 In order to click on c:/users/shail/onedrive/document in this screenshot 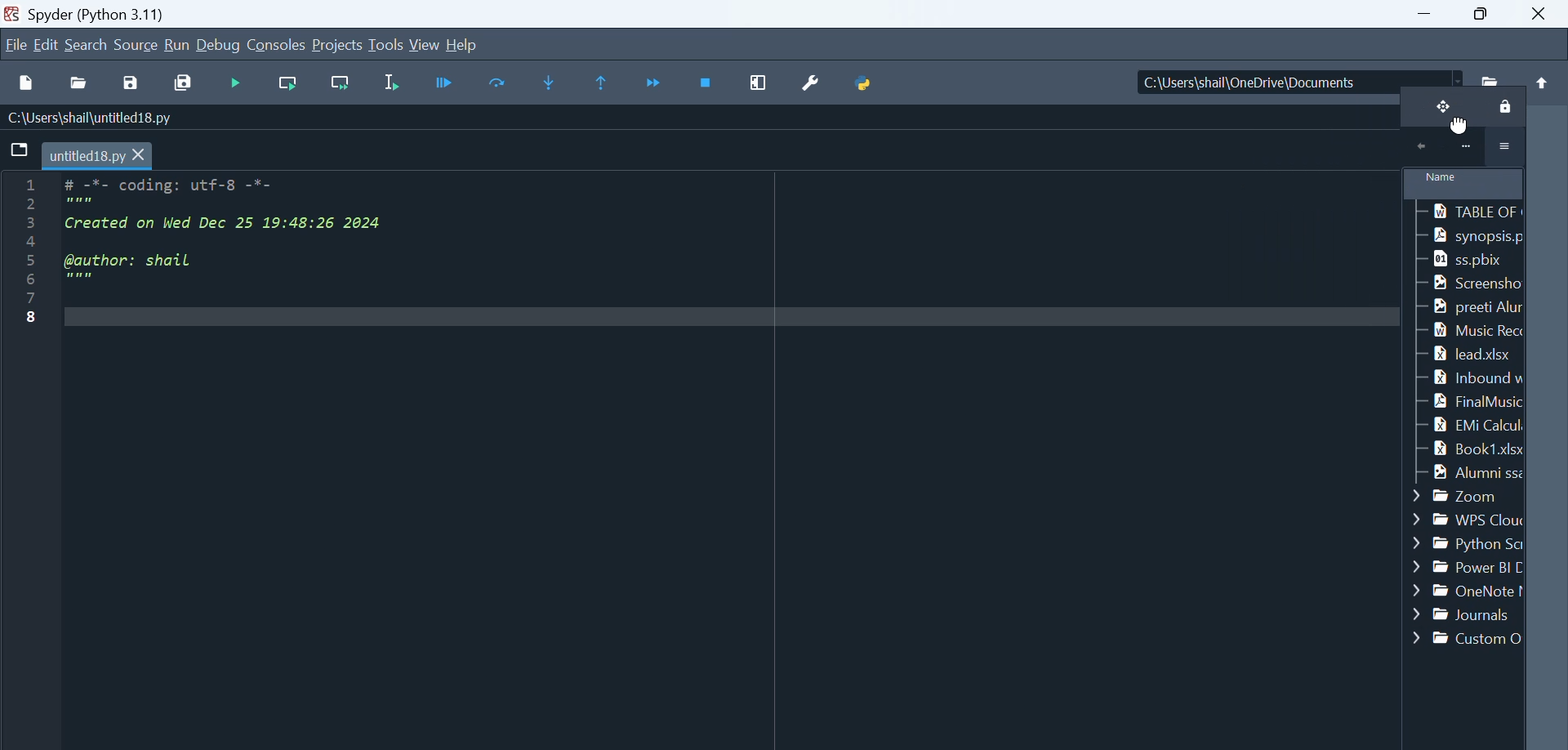, I will do `click(1285, 78)`.